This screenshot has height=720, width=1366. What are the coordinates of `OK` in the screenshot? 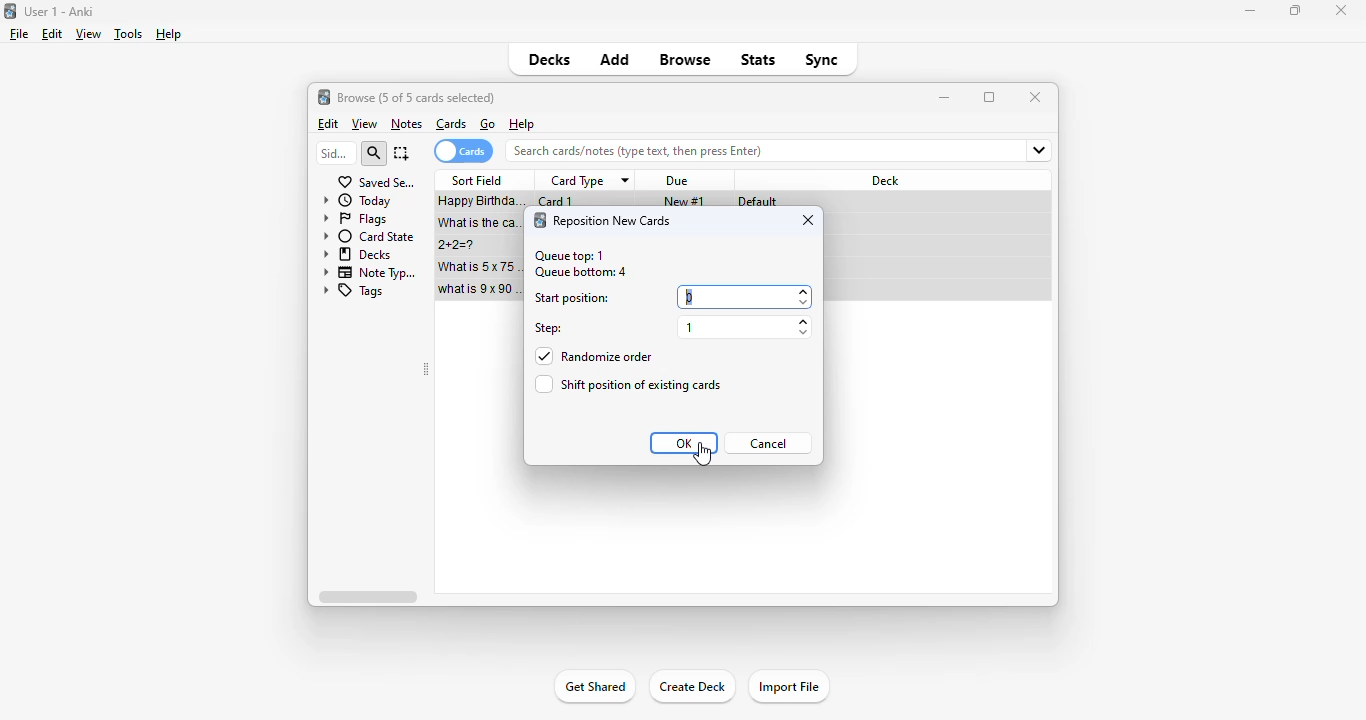 It's located at (684, 442).